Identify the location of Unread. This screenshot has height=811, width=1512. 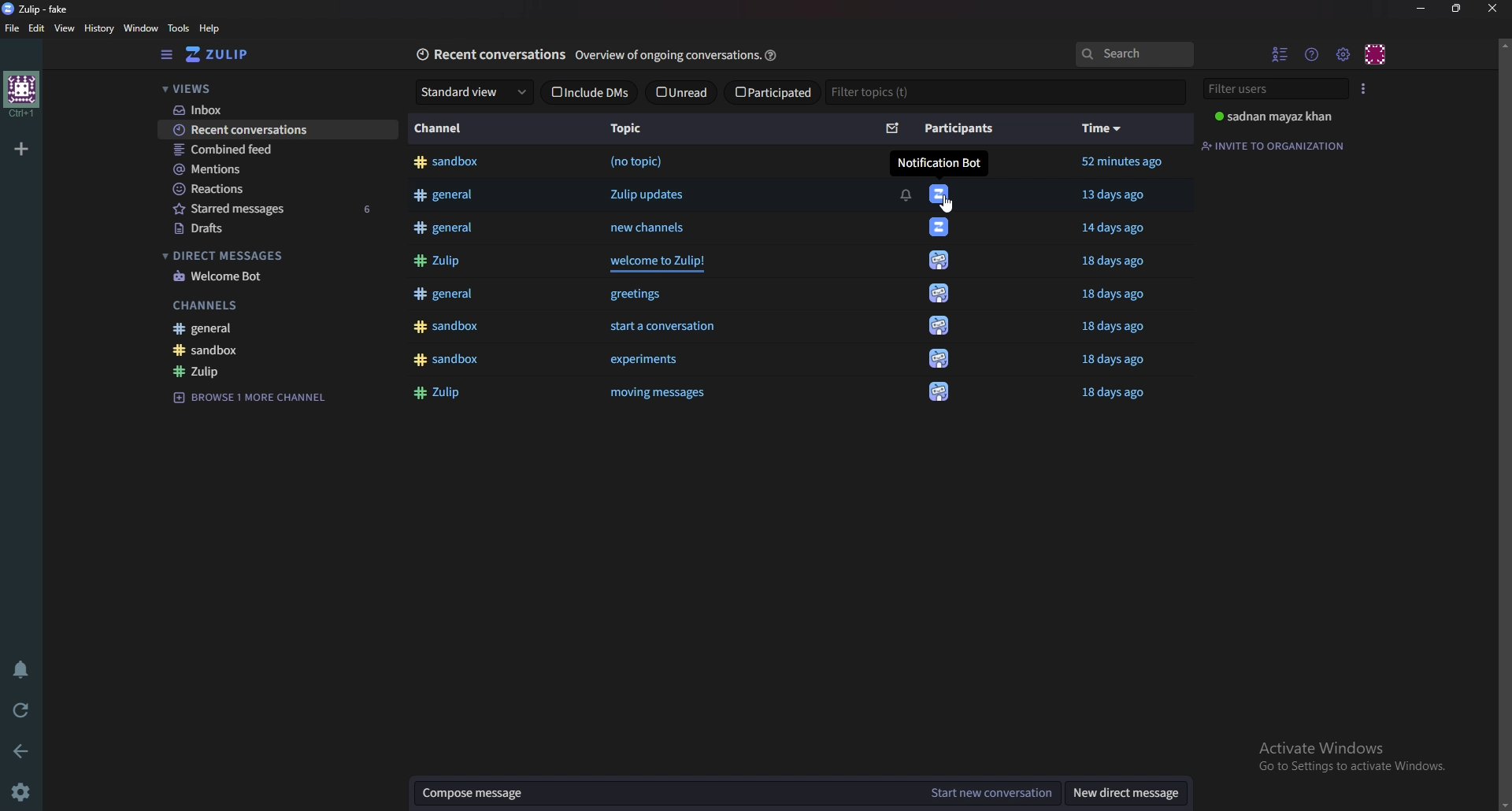
(680, 92).